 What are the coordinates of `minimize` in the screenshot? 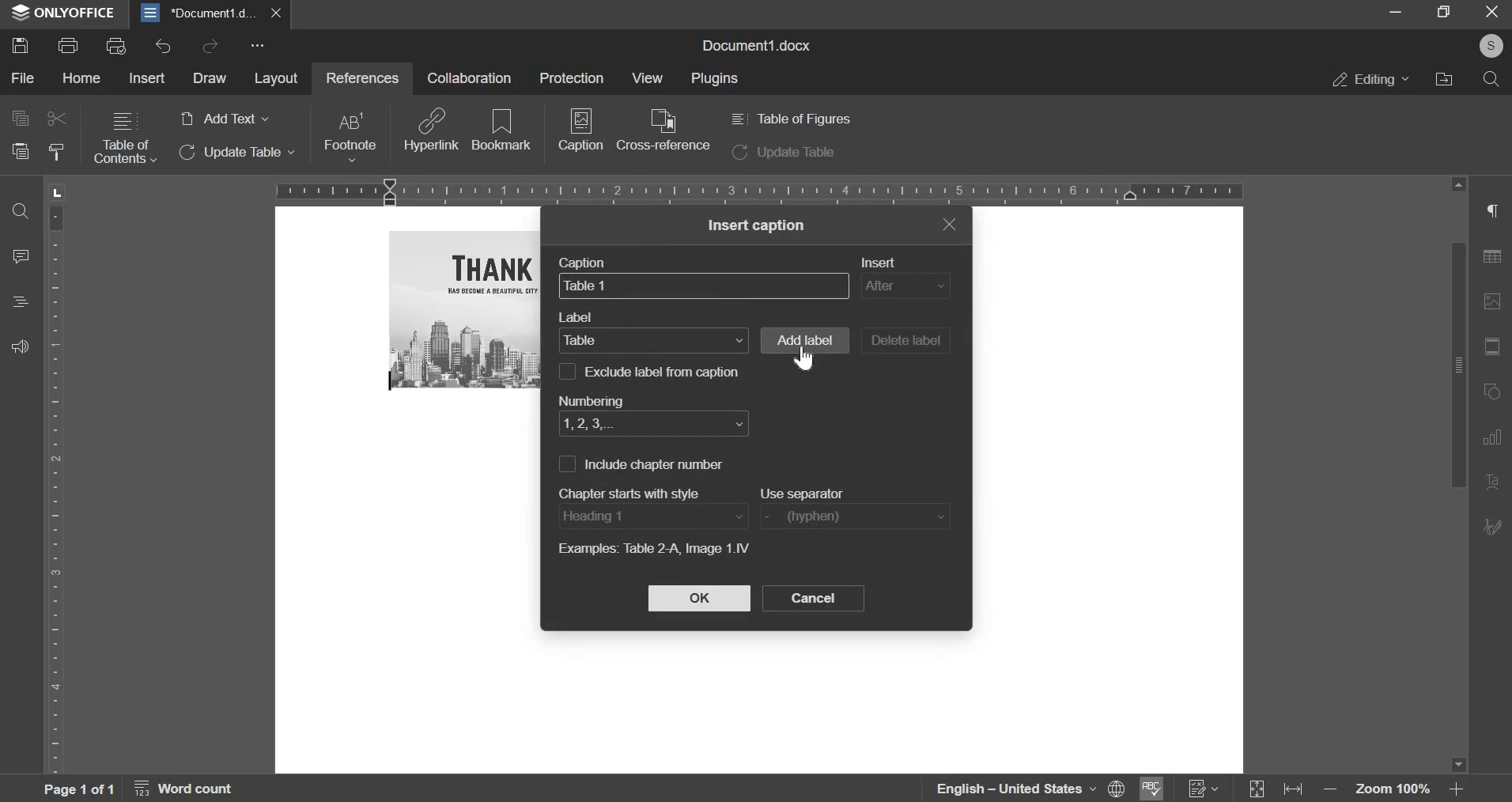 It's located at (1396, 13).